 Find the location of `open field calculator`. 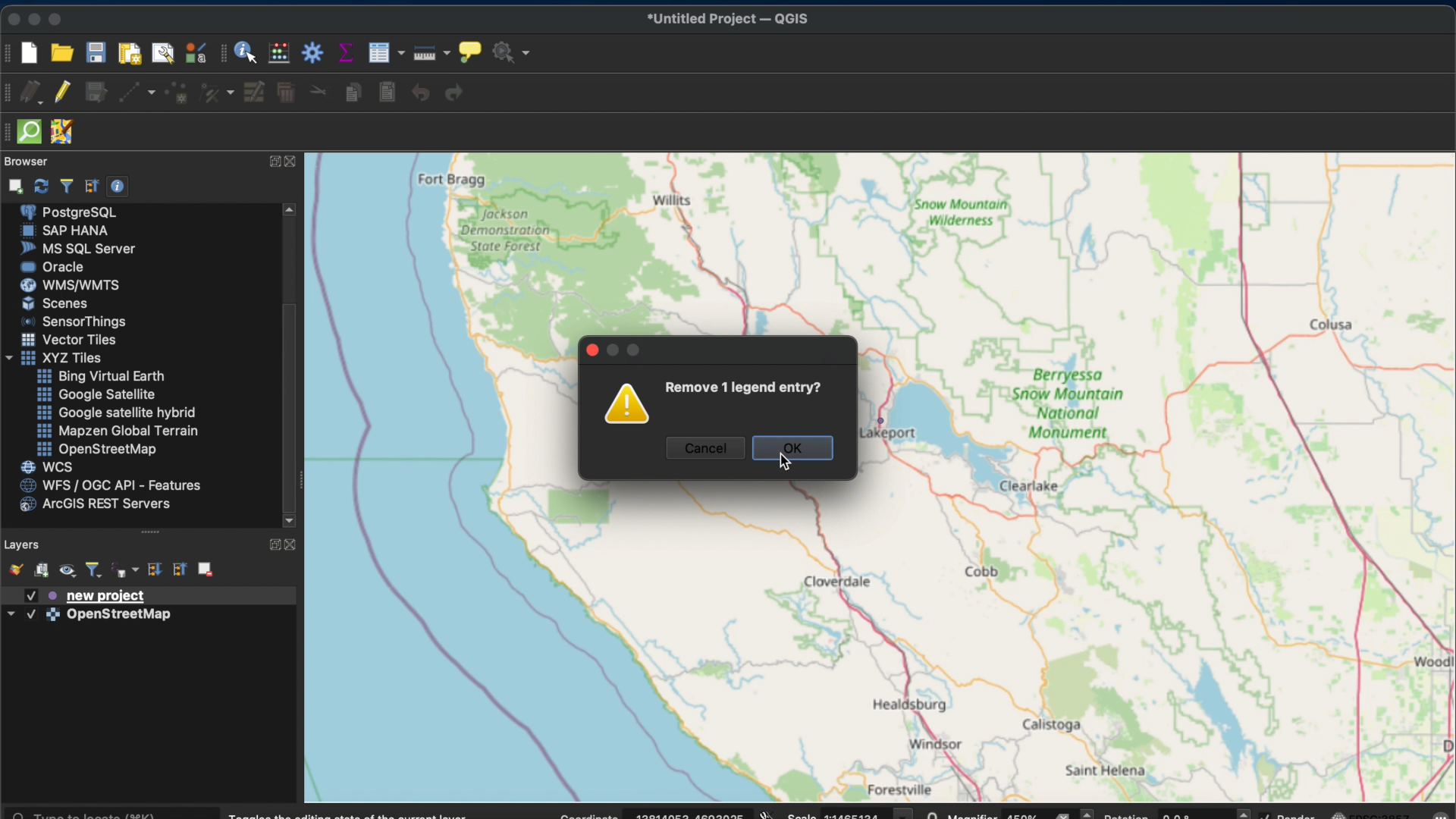

open field calculator is located at coordinates (281, 52).